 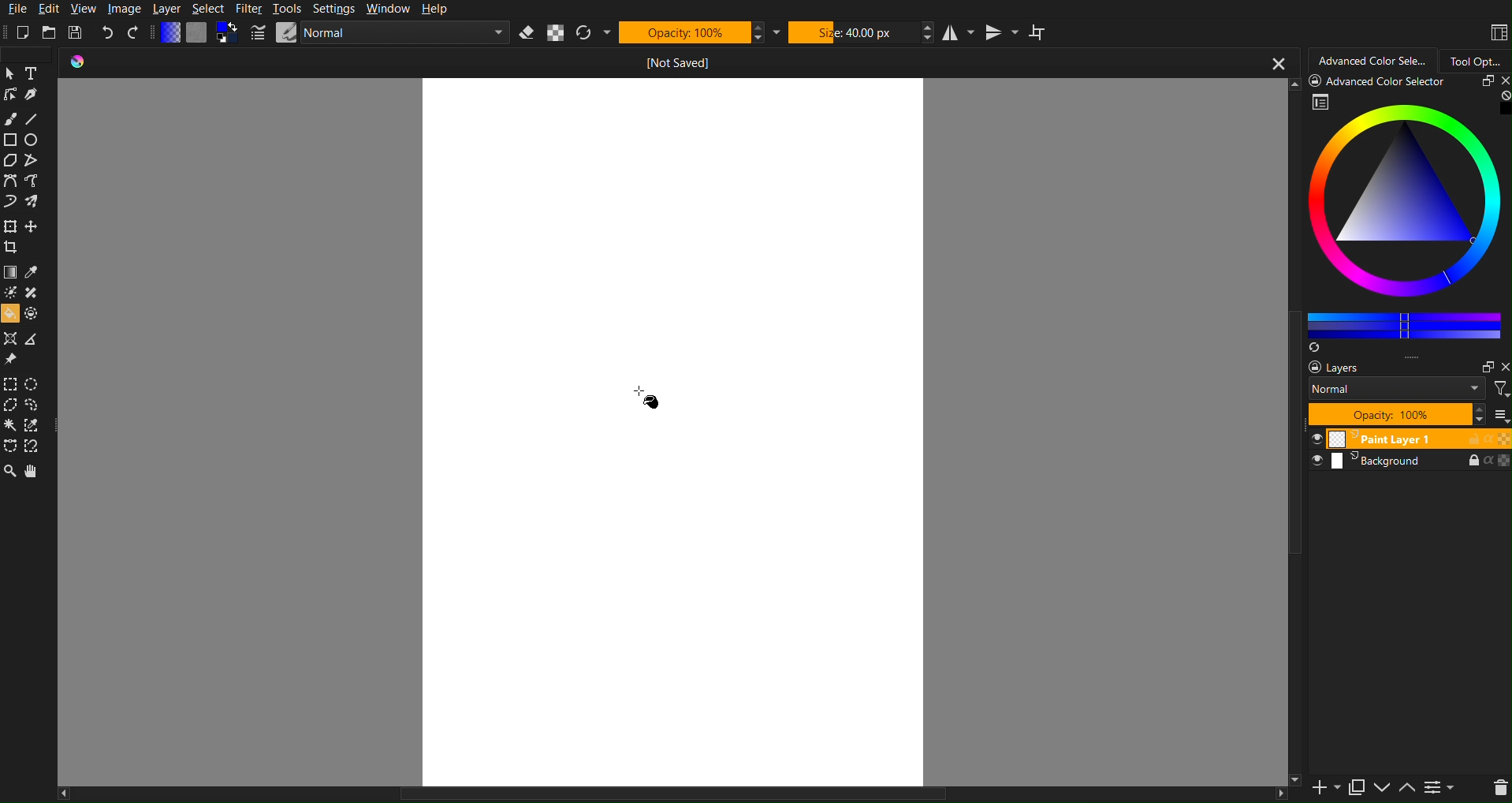 What do you see at coordinates (1293, 491) in the screenshot?
I see `` at bounding box center [1293, 491].